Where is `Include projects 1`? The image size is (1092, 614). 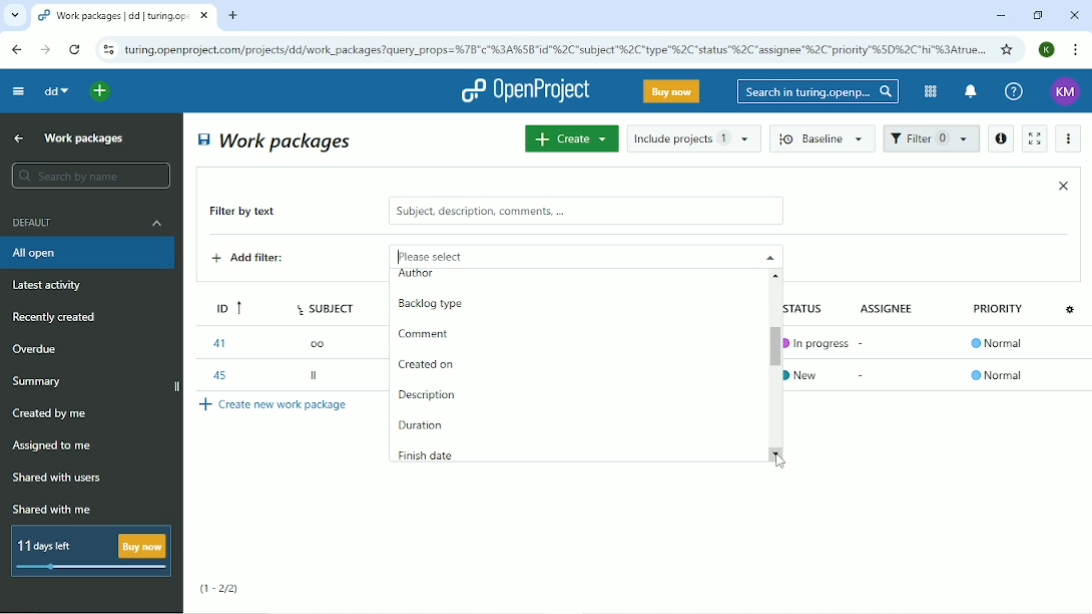 Include projects 1 is located at coordinates (694, 138).